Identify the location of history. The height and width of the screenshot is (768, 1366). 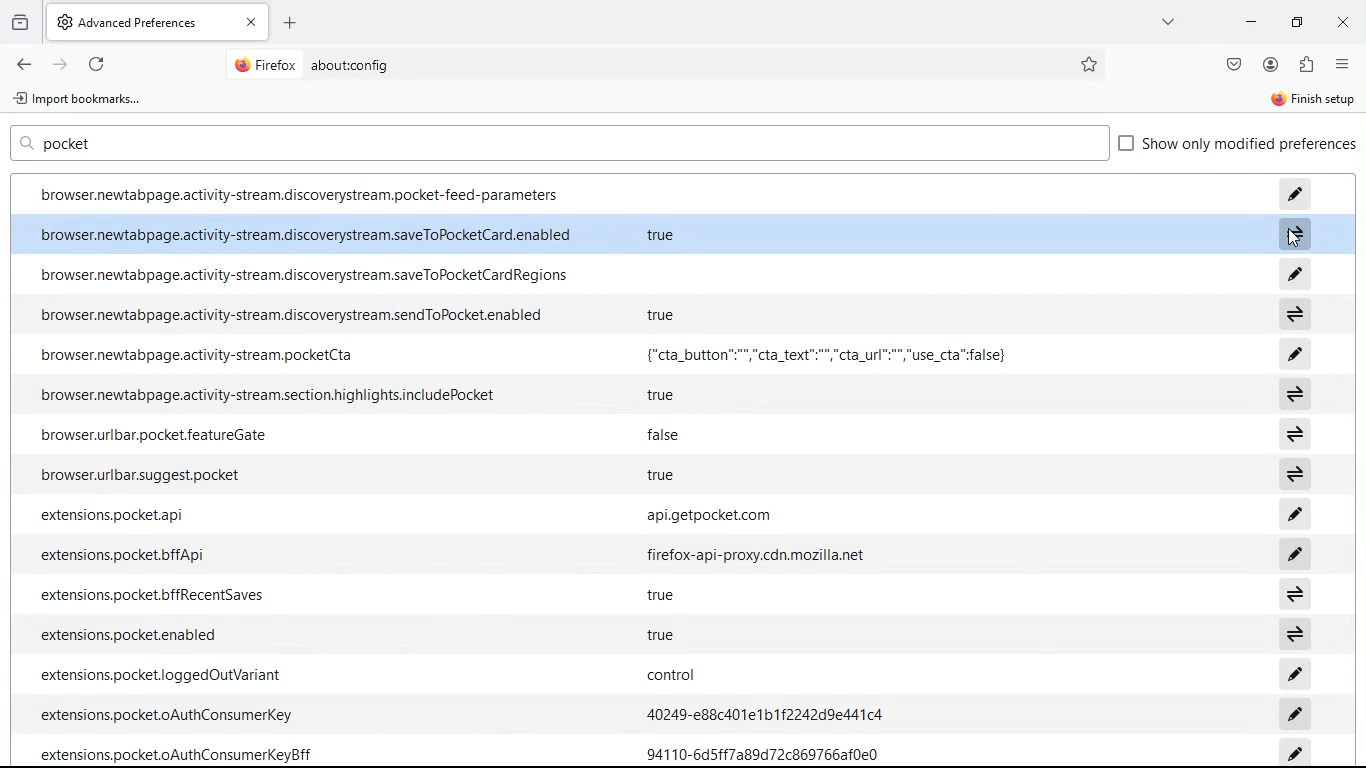
(21, 23).